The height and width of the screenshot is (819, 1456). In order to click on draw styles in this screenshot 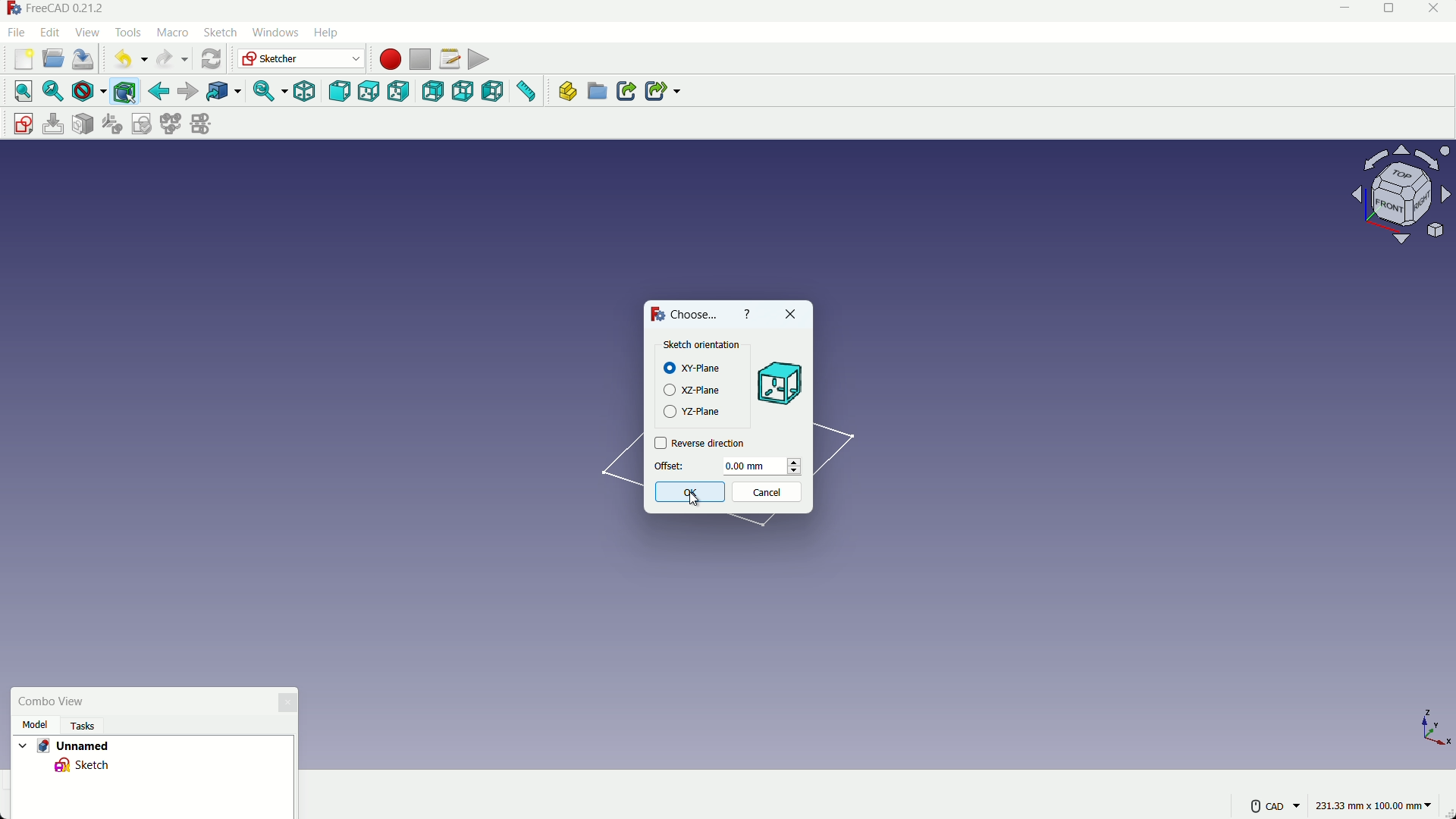, I will do `click(81, 91)`.